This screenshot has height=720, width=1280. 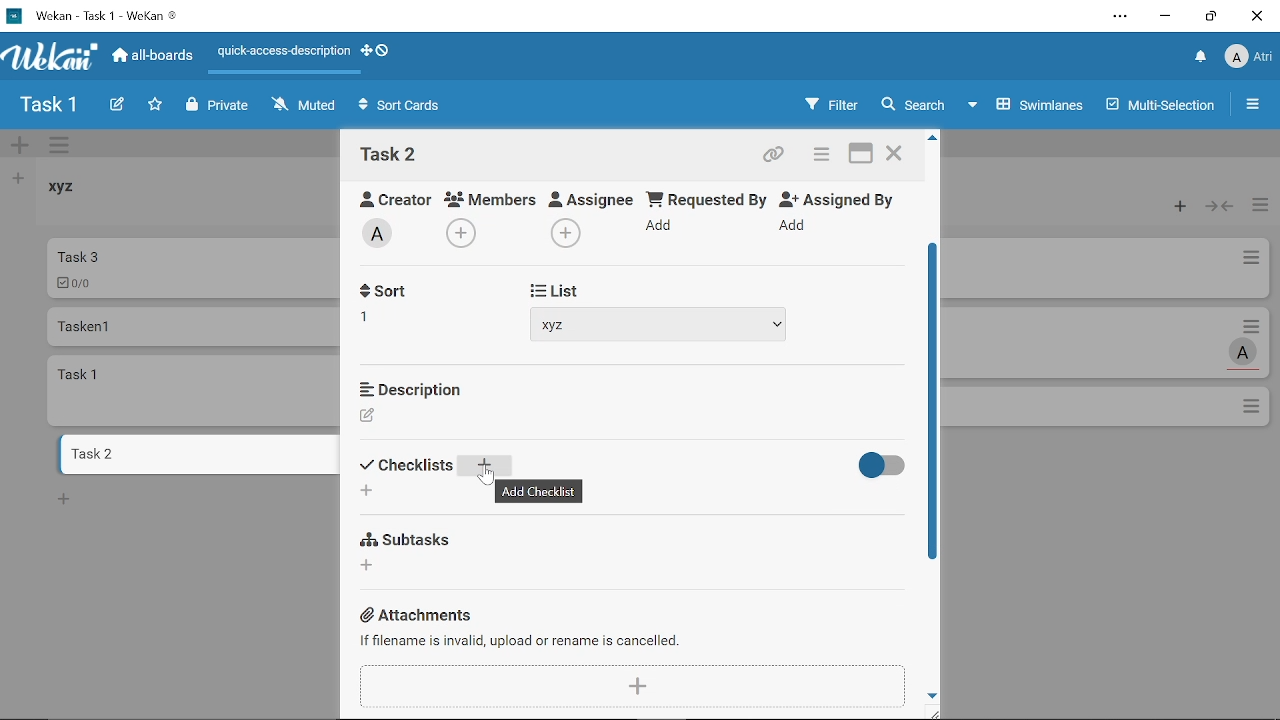 What do you see at coordinates (376, 321) in the screenshot?
I see `Add recieved date` at bounding box center [376, 321].